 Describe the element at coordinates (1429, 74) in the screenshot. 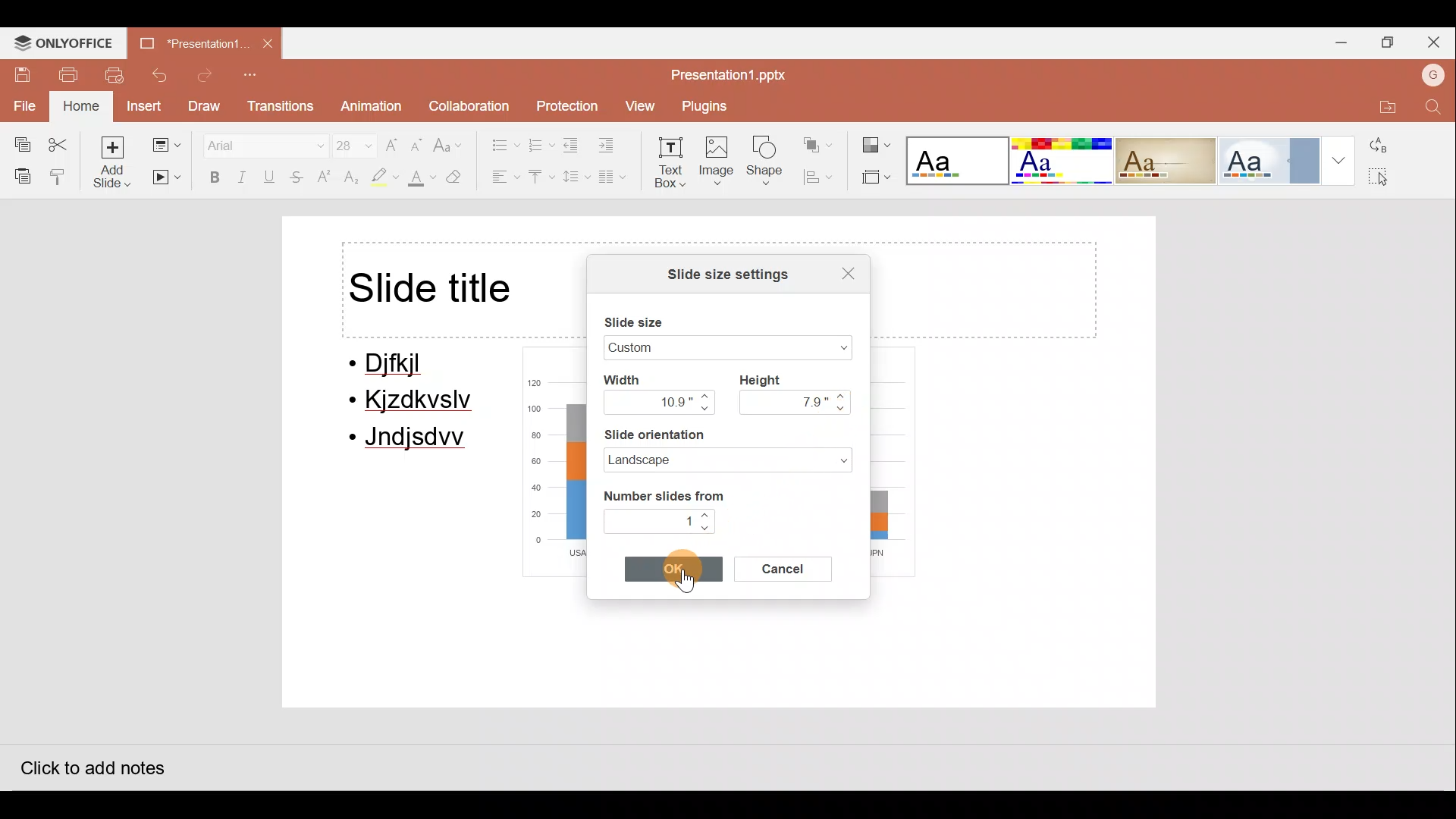

I see `Account name` at that location.